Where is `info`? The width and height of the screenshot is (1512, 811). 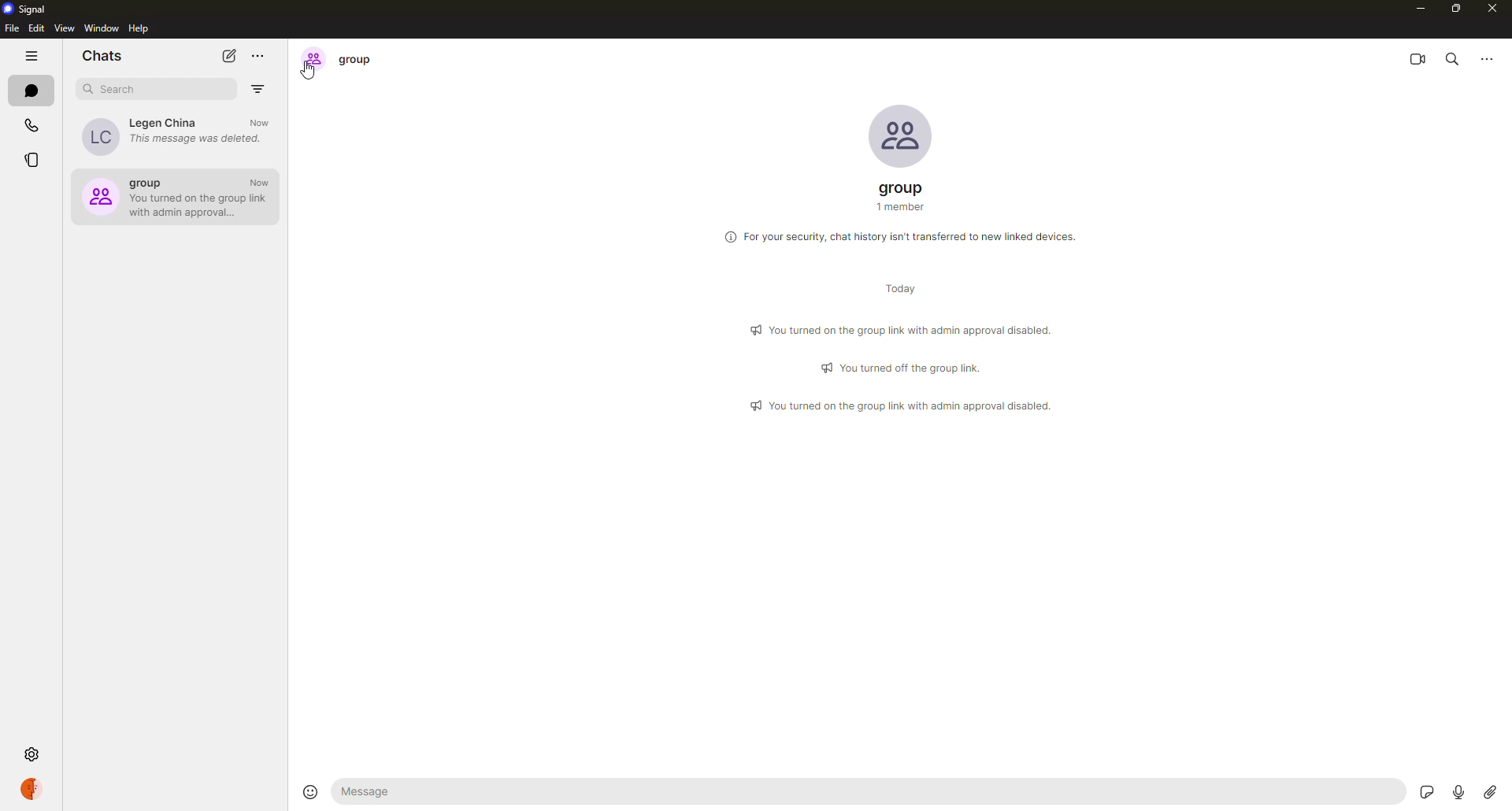 info is located at coordinates (902, 366).